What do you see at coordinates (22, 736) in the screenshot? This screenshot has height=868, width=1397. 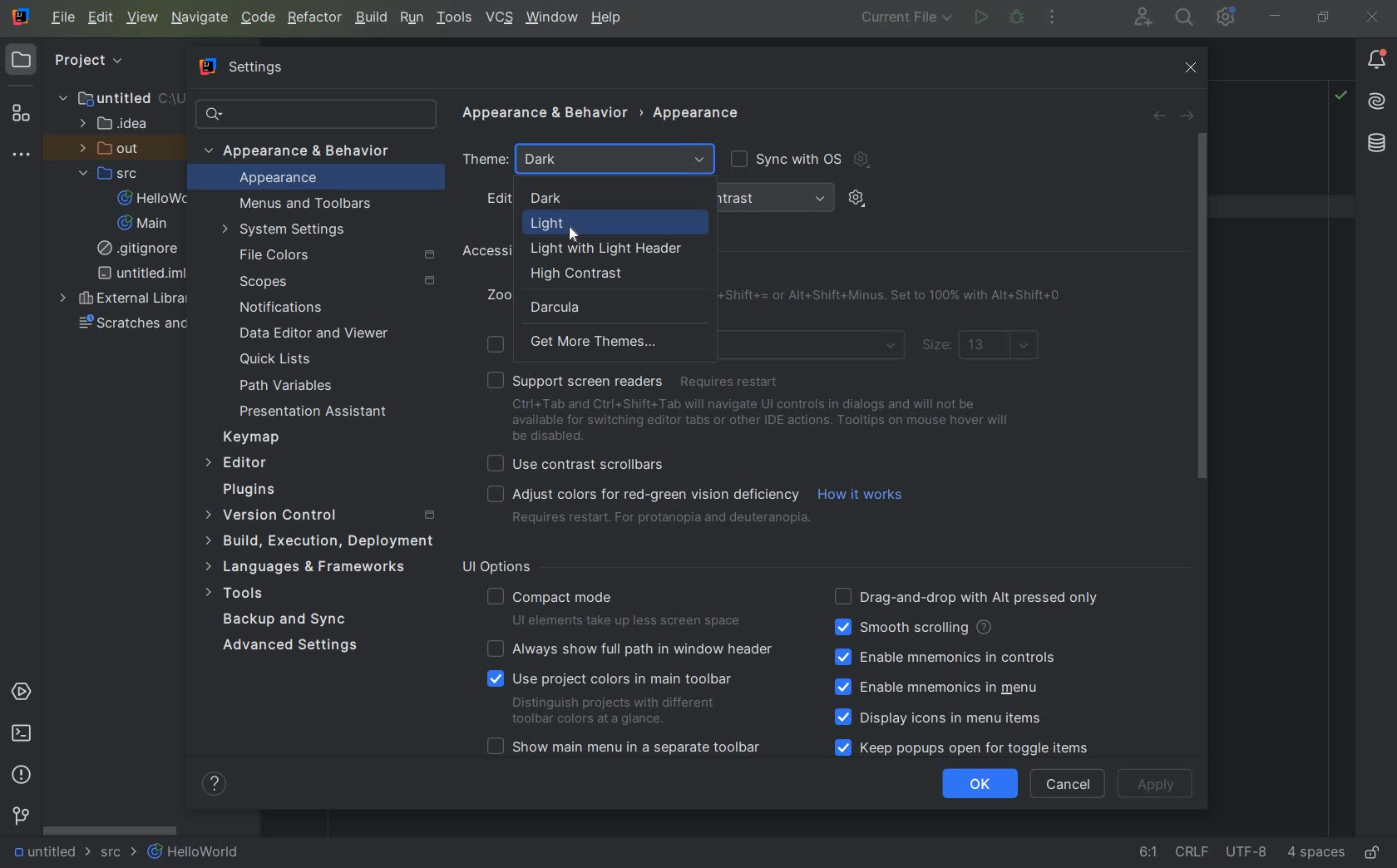 I see `TERMINAL` at bounding box center [22, 736].